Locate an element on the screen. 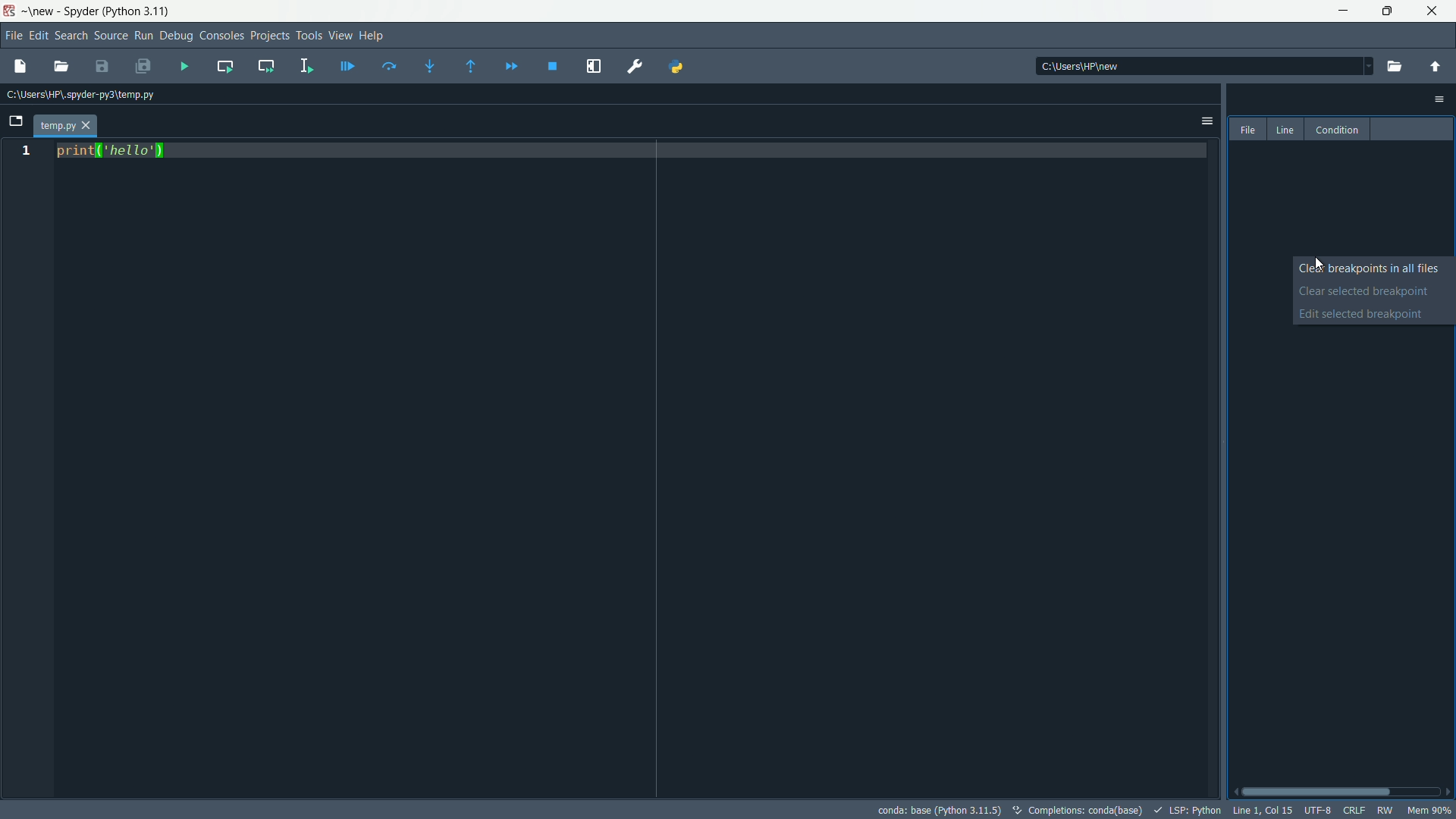 Image resolution: width=1456 pixels, height=819 pixels. file is located at coordinates (1248, 129).